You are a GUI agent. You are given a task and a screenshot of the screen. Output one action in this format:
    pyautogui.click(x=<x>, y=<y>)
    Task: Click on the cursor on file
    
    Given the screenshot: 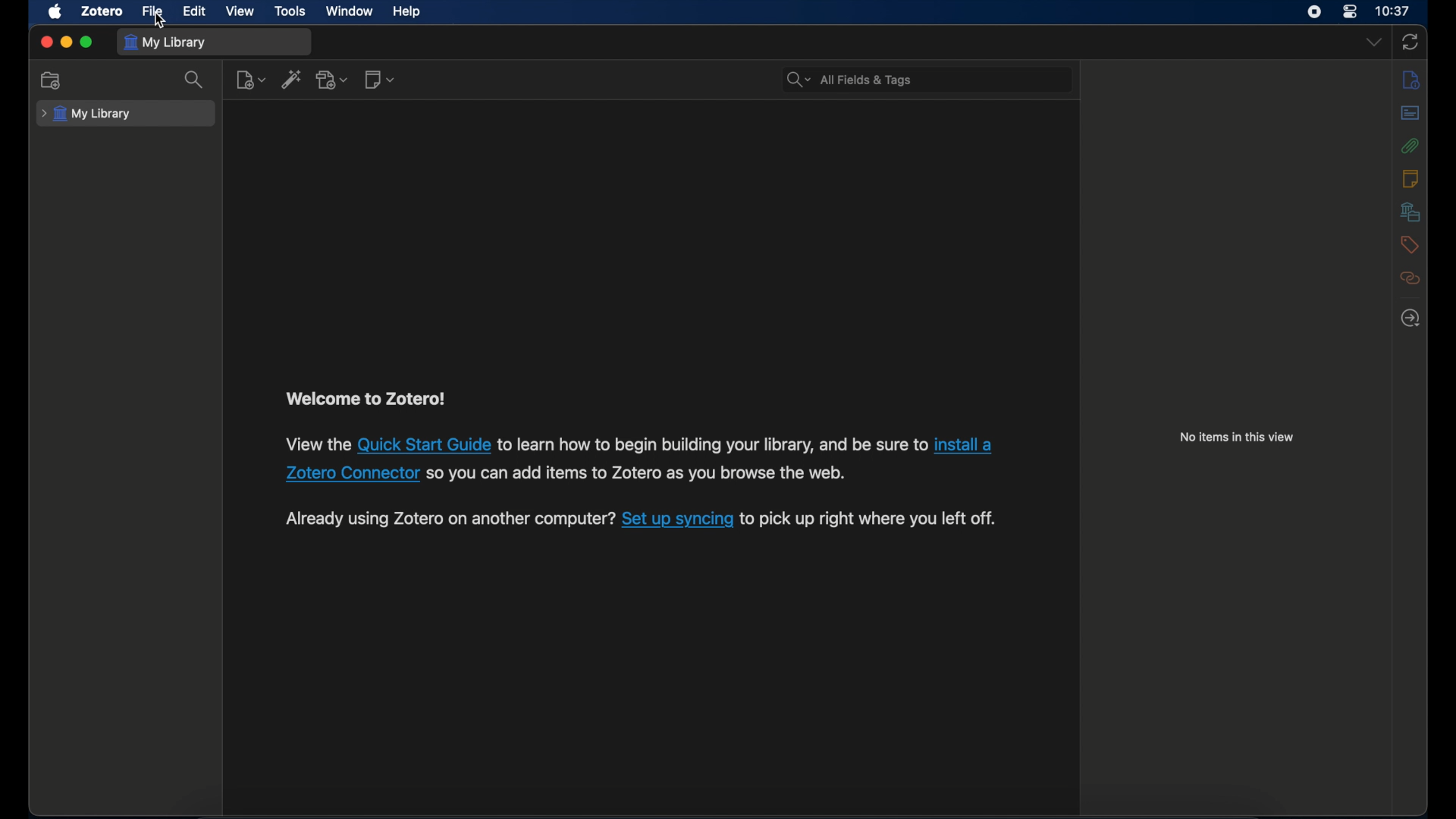 What is the action you would take?
    pyautogui.click(x=160, y=20)
    